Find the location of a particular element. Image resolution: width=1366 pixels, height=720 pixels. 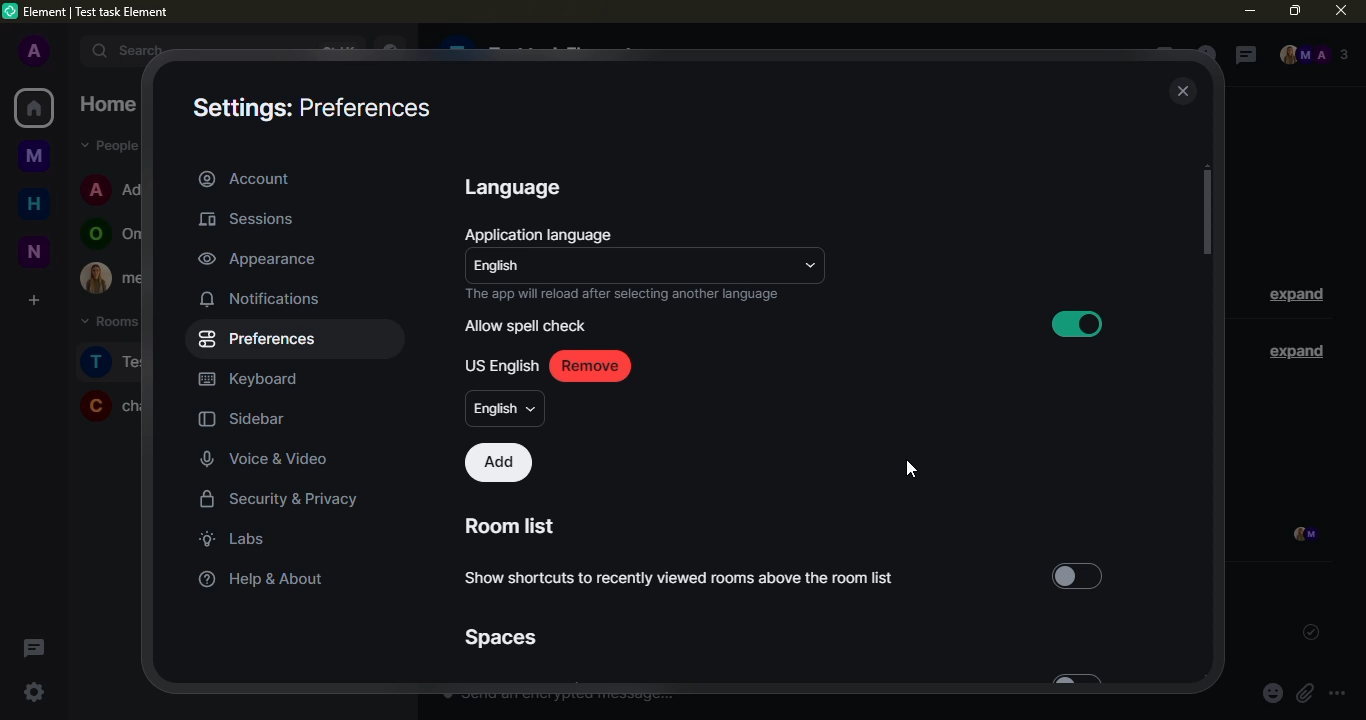

settings: preferences is located at coordinates (309, 110).